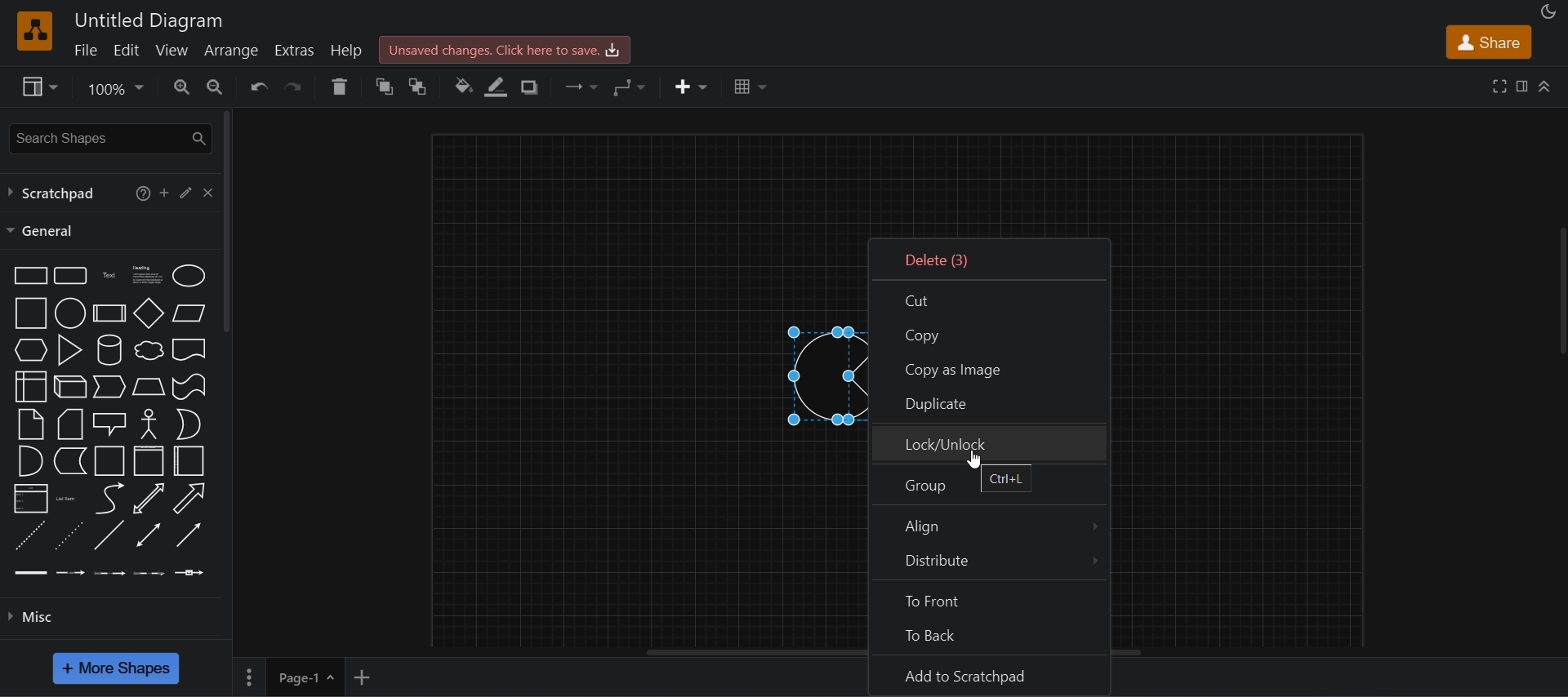 This screenshot has height=697, width=1568. I want to click on help, so click(139, 192).